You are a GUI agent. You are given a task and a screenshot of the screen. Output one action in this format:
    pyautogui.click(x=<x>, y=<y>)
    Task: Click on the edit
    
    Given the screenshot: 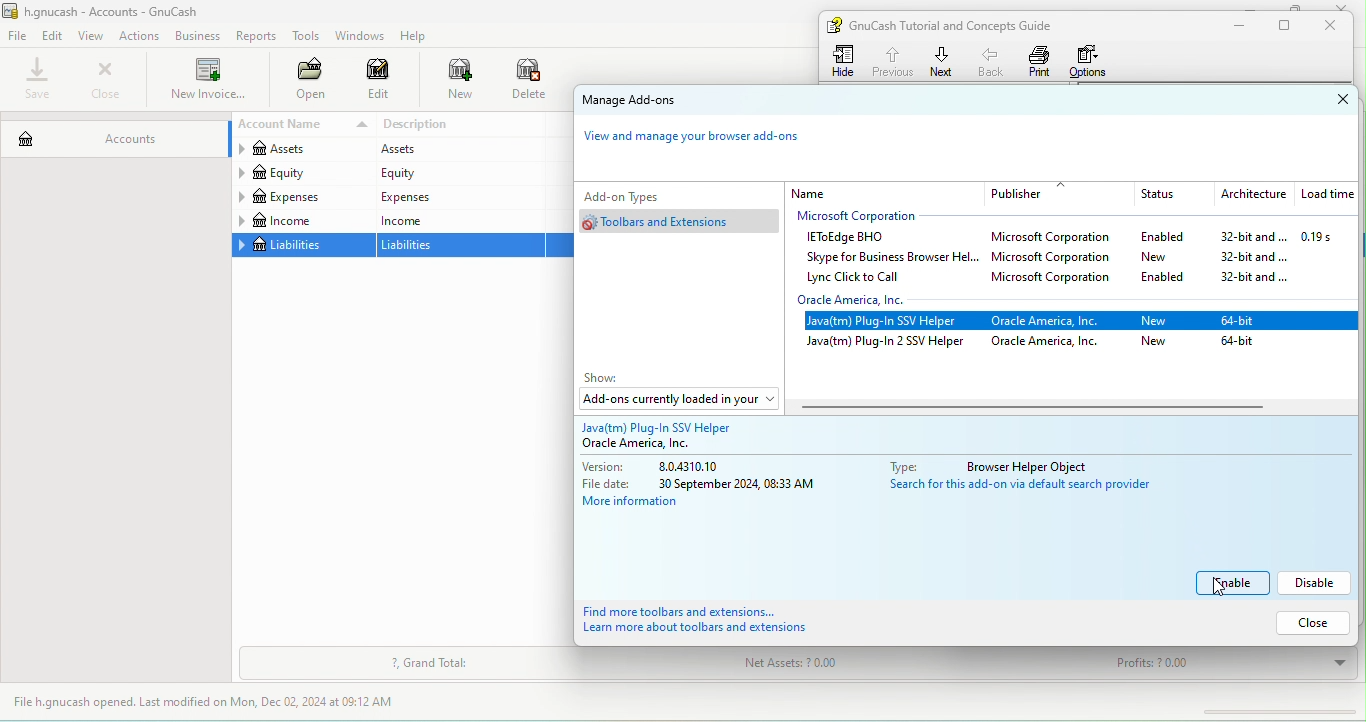 What is the action you would take?
    pyautogui.click(x=54, y=35)
    